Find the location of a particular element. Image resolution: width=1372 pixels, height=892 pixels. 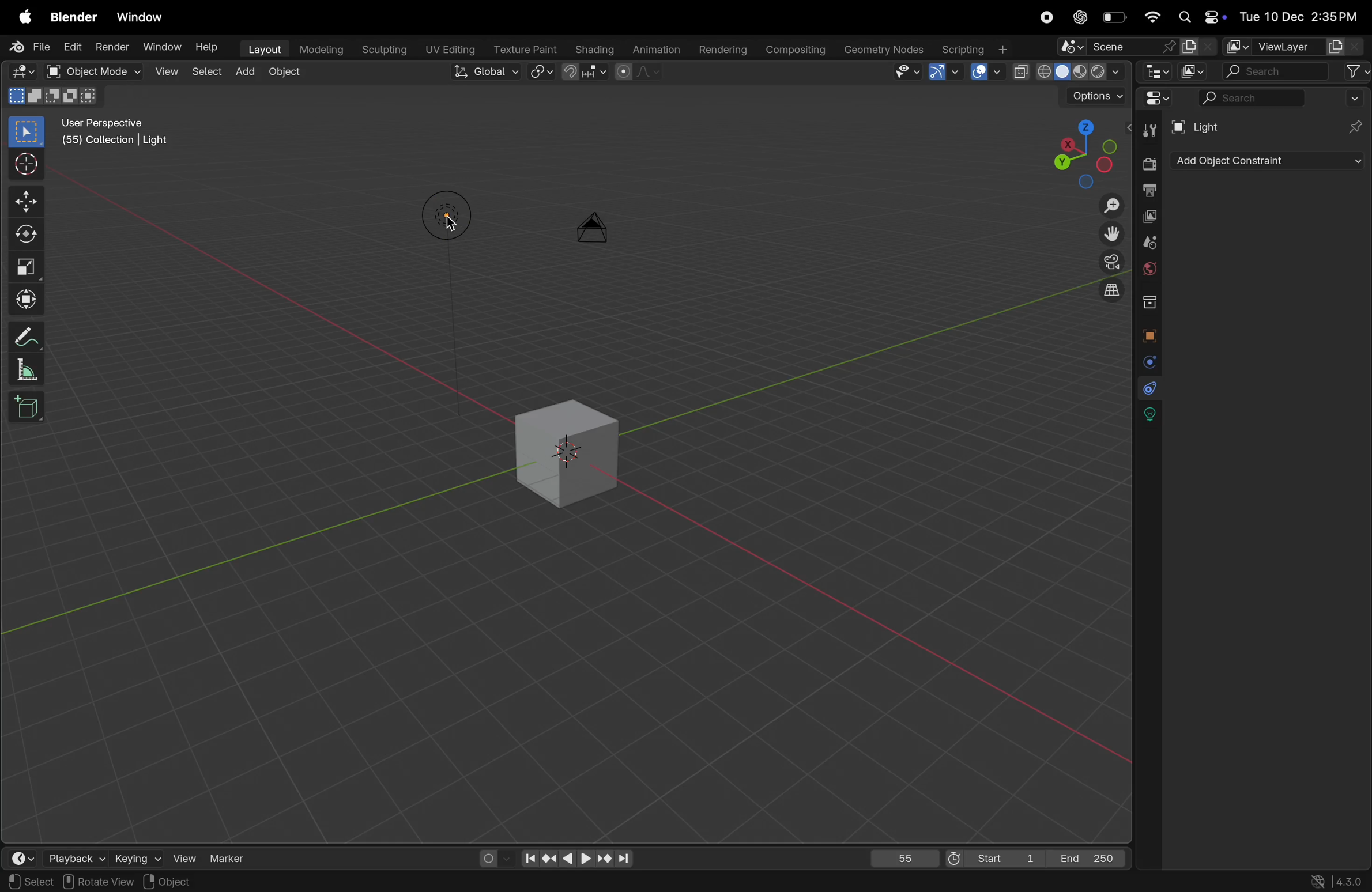

playback contorls is located at coordinates (574, 856).